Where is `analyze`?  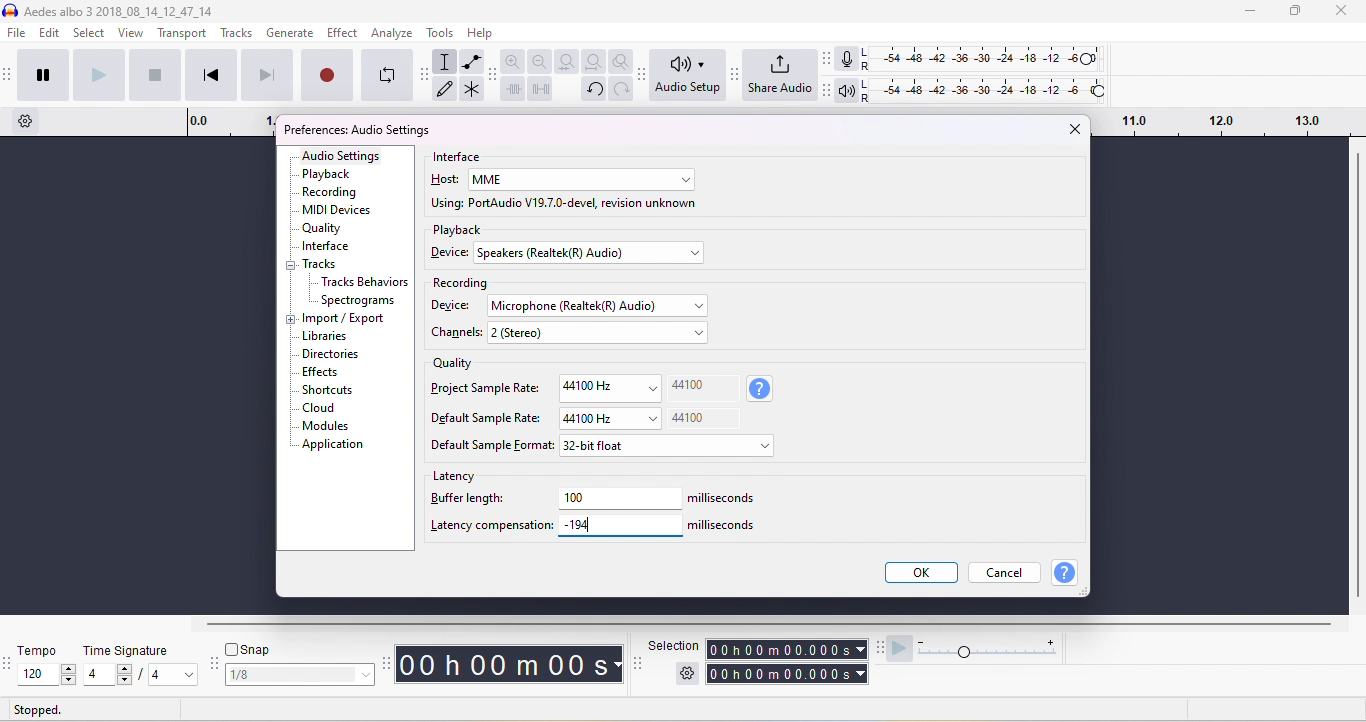 analyze is located at coordinates (392, 32).